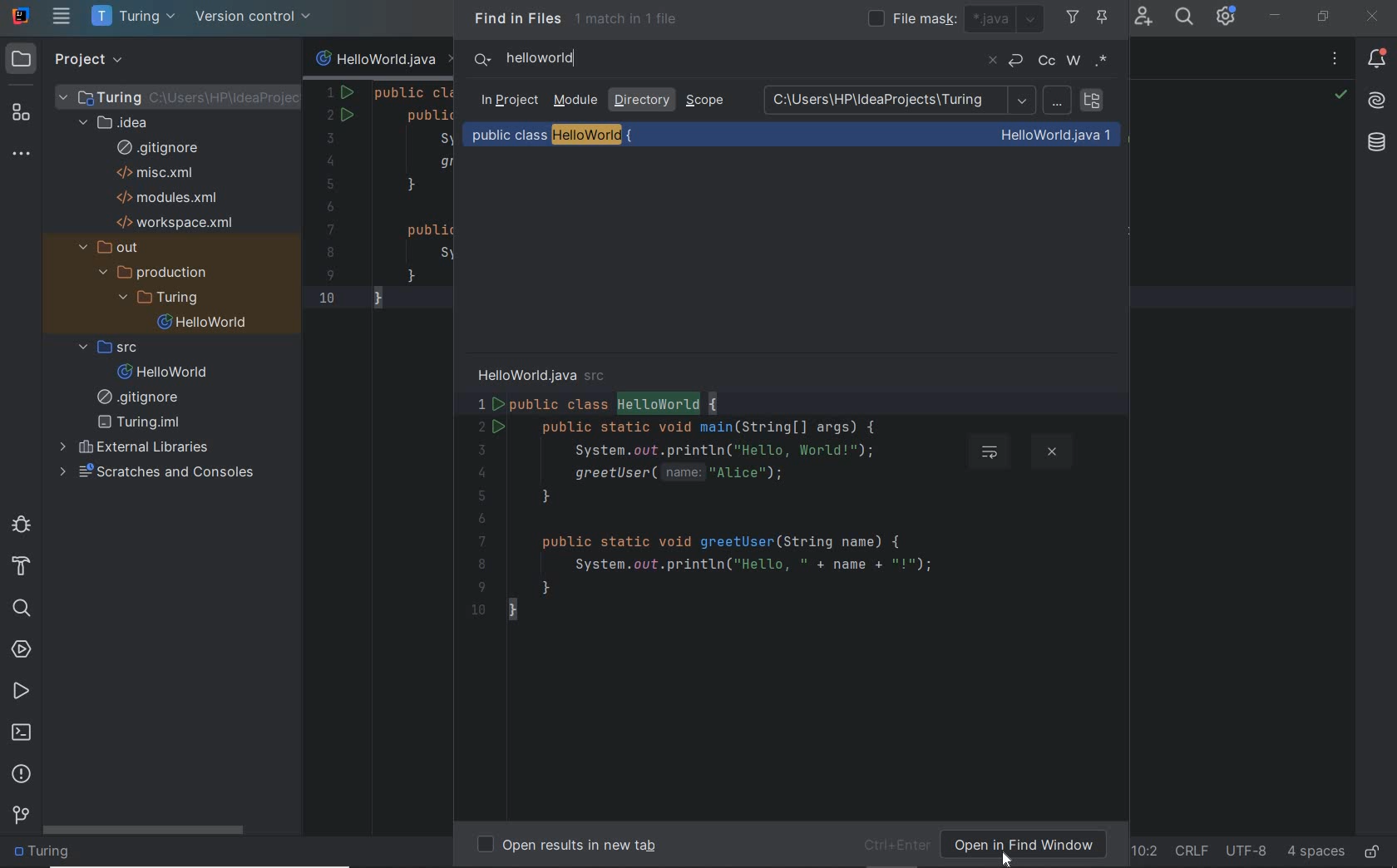  I want to click on workspace.xml, so click(180, 222).